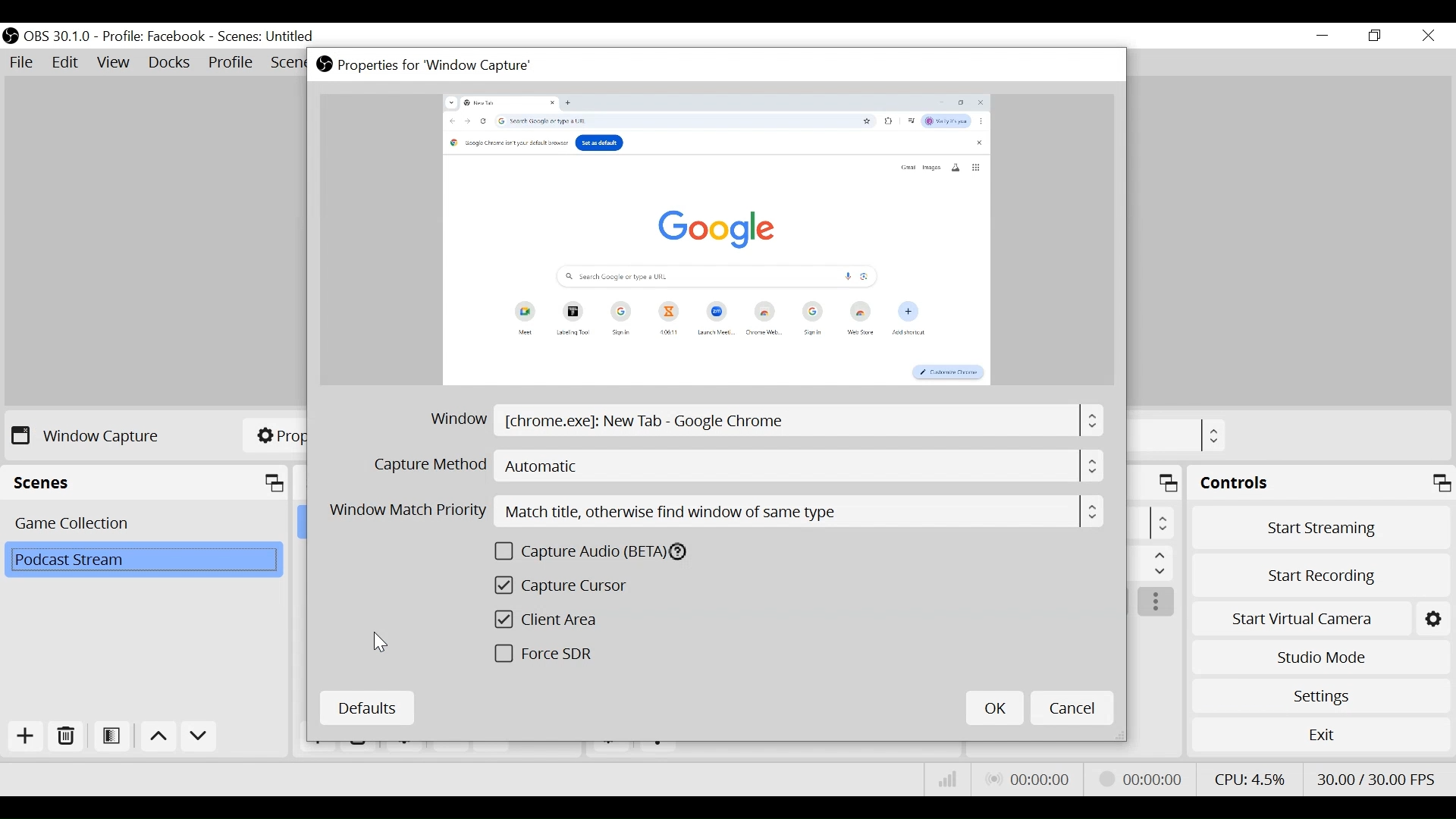  Describe the element at coordinates (735, 466) in the screenshot. I see `Capture Method` at that location.